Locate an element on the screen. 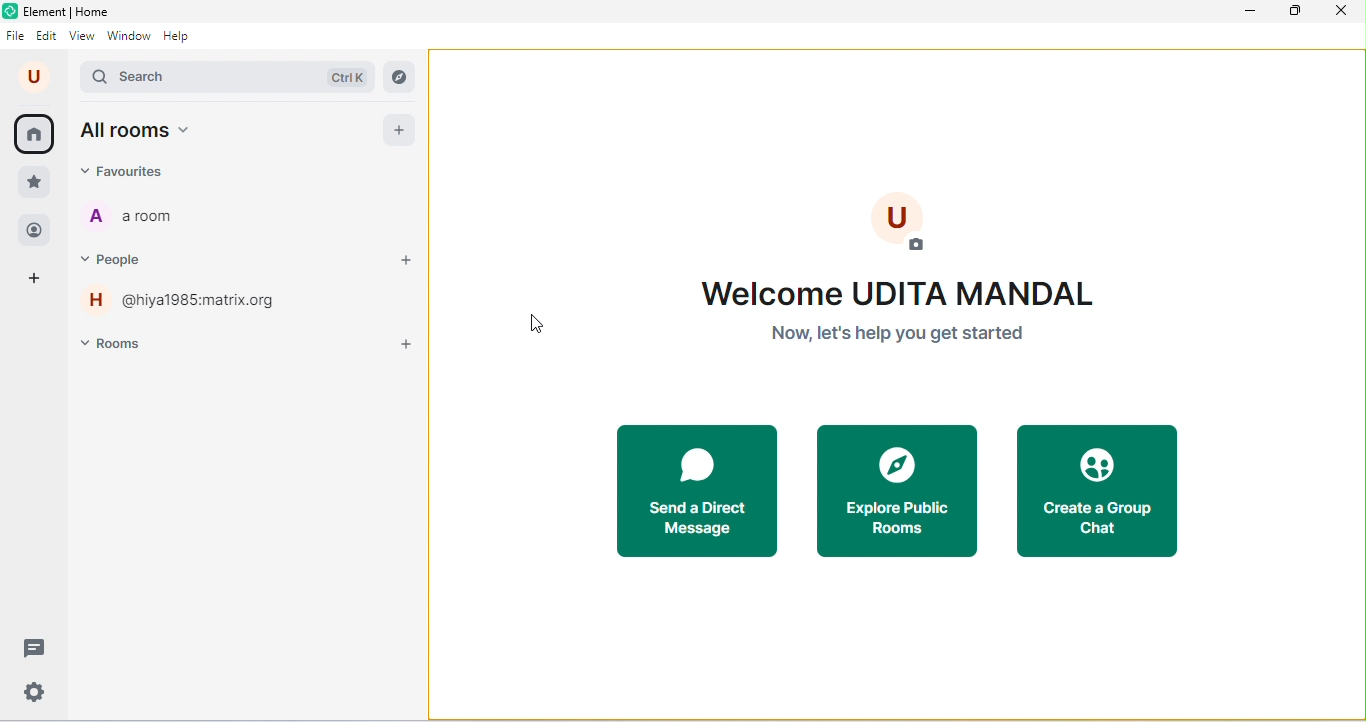 This screenshot has height=722, width=1366. create a group chat is located at coordinates (1095, 492).